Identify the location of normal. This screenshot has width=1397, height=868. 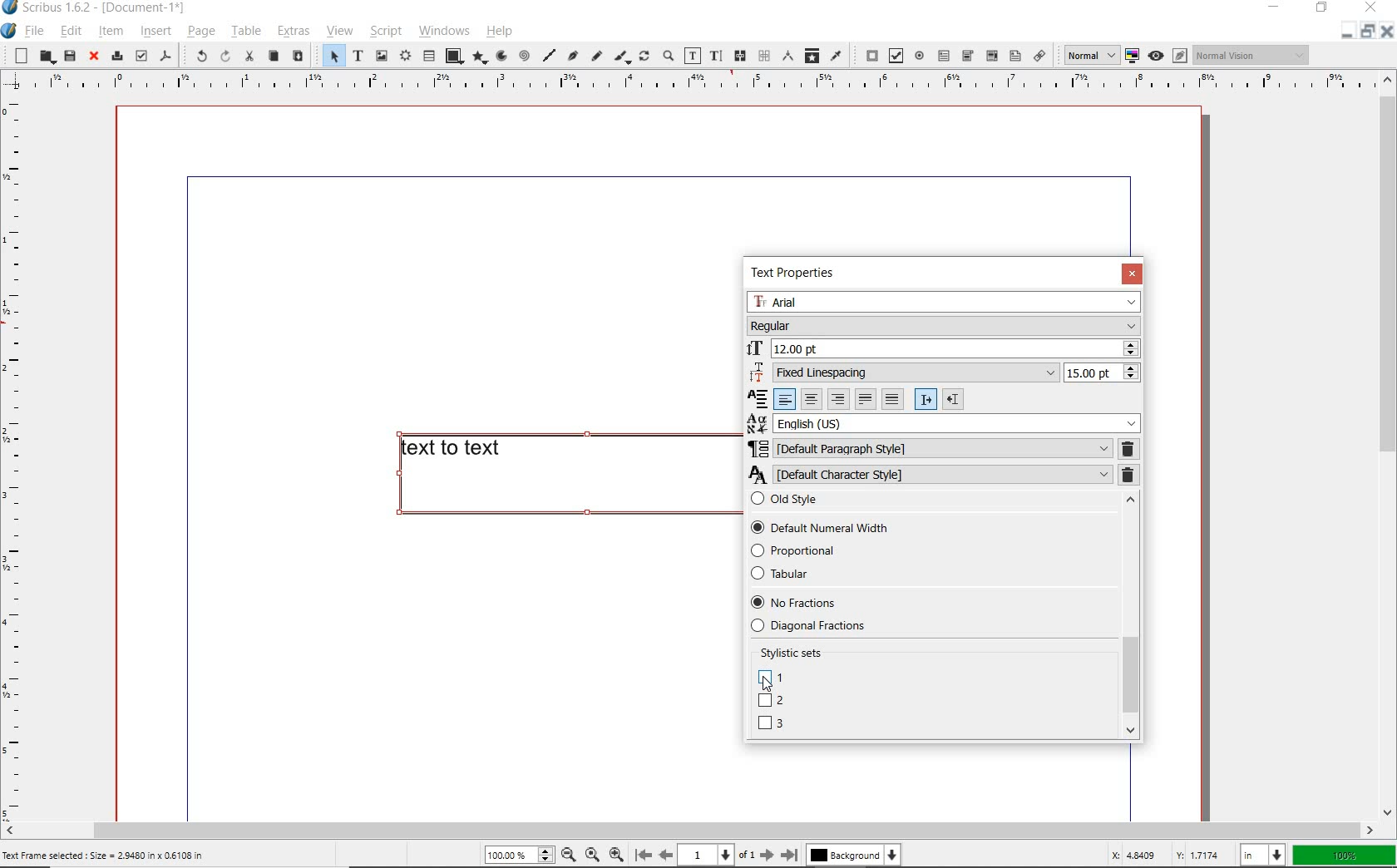
(1088, 55).